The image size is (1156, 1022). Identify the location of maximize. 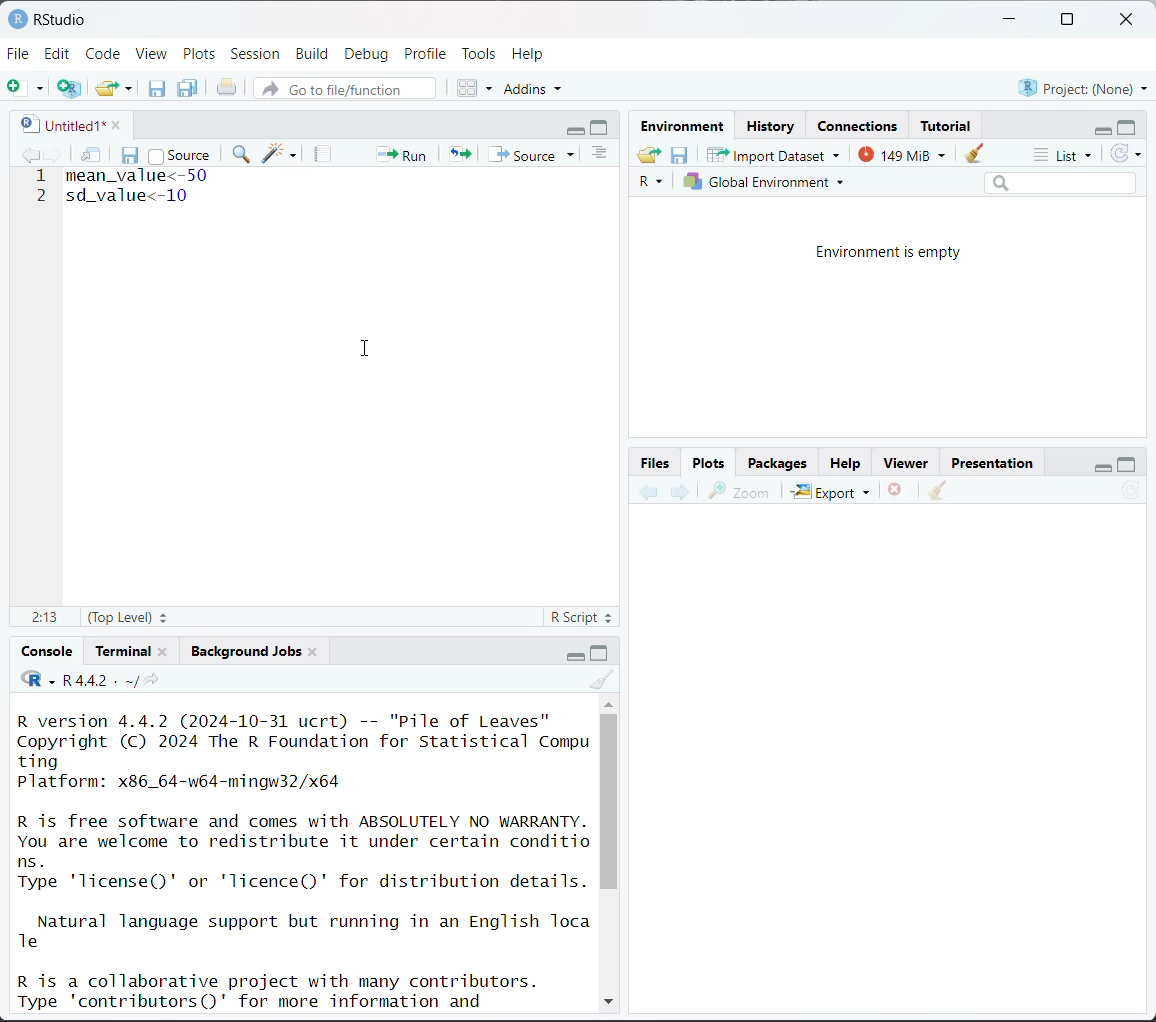
(601, 652).